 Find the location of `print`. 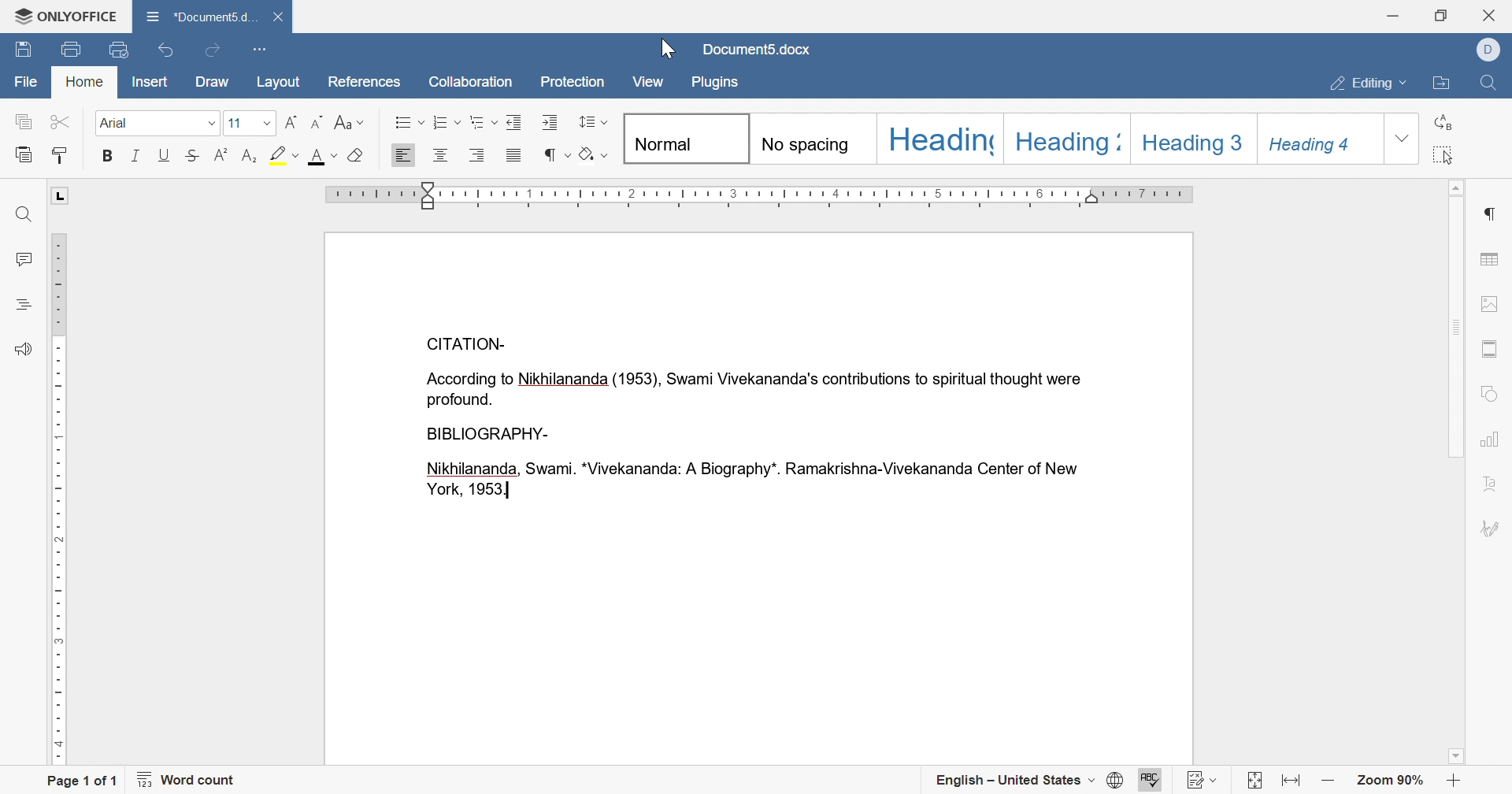

print is located at coordinates (70, 49).